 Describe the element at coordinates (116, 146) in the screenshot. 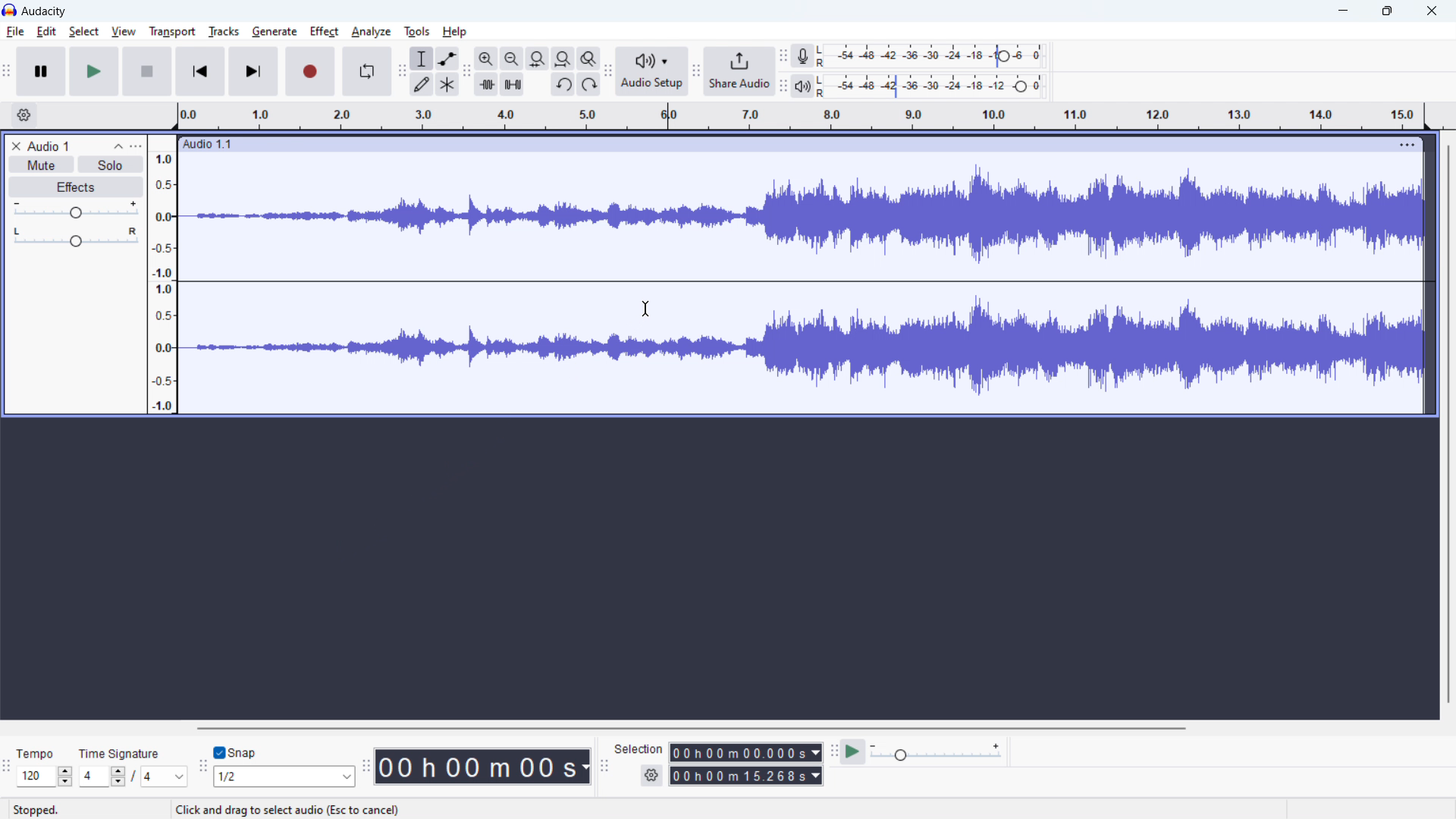

I see `collapse` at that location.